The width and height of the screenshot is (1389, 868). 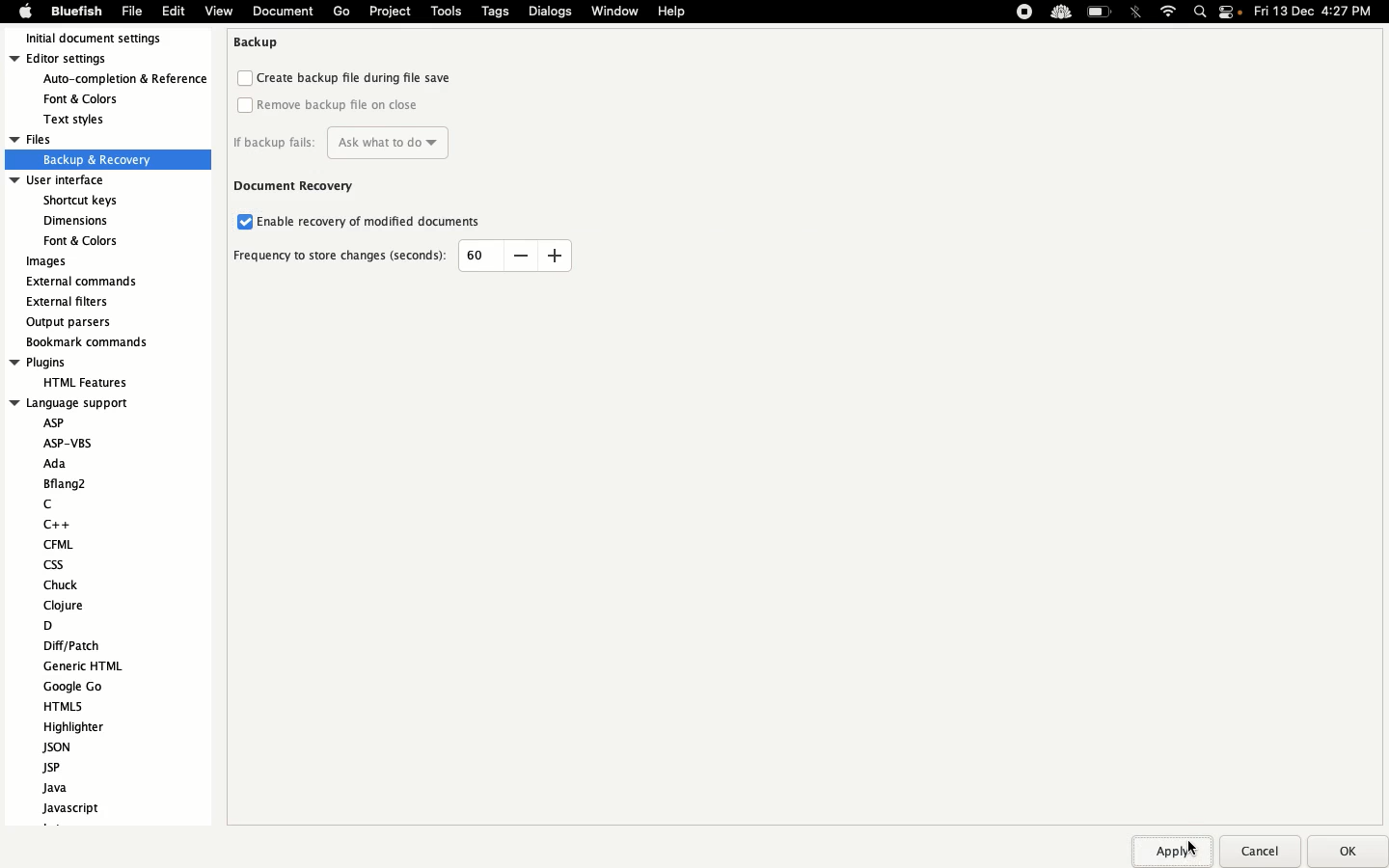 What do you see at coordinates (49, 262) in the screenshot?
I see `Images` at bounding box center [49, 262].